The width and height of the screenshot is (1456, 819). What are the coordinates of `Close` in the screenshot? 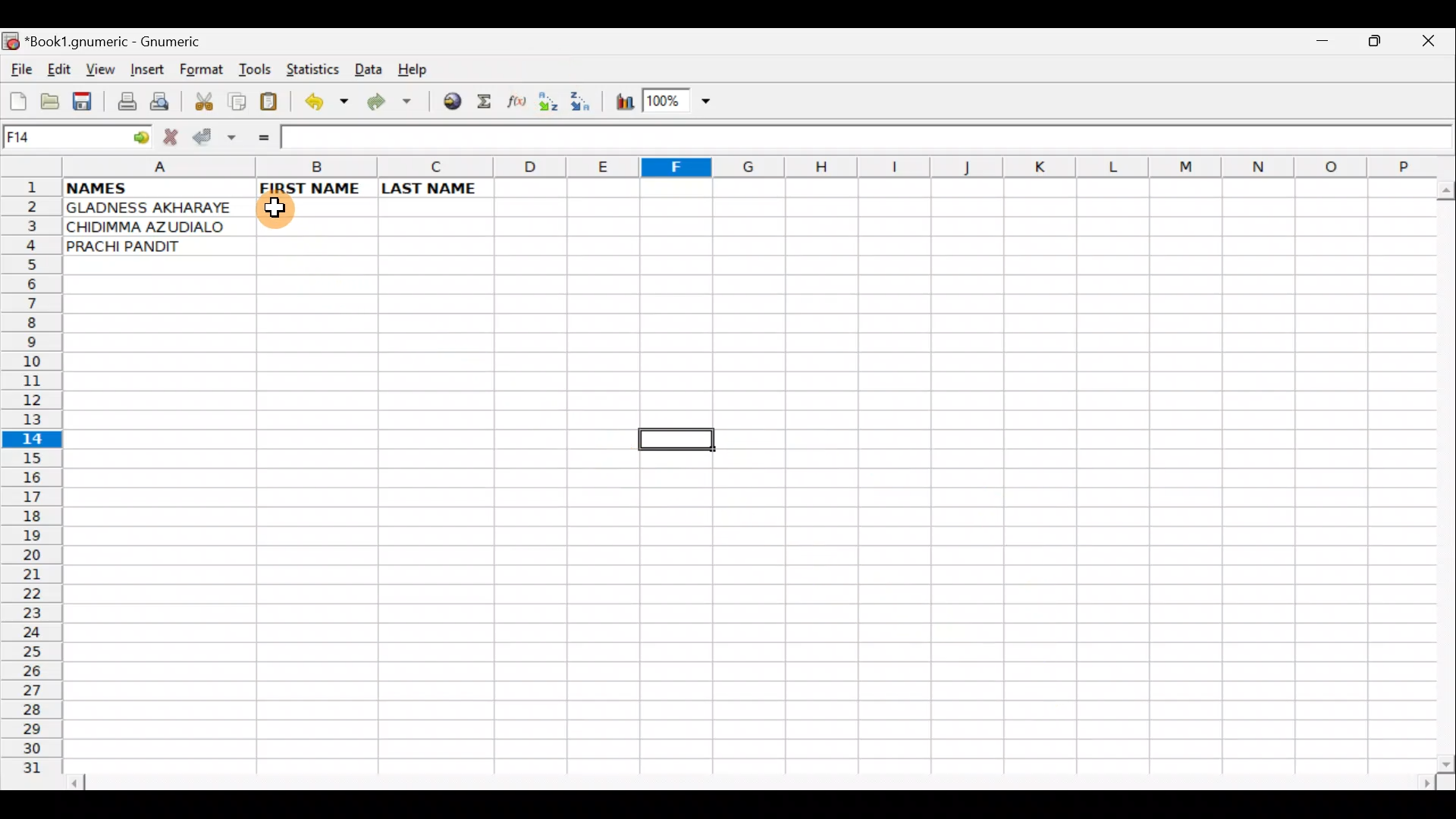 It's located at (1432, 45).